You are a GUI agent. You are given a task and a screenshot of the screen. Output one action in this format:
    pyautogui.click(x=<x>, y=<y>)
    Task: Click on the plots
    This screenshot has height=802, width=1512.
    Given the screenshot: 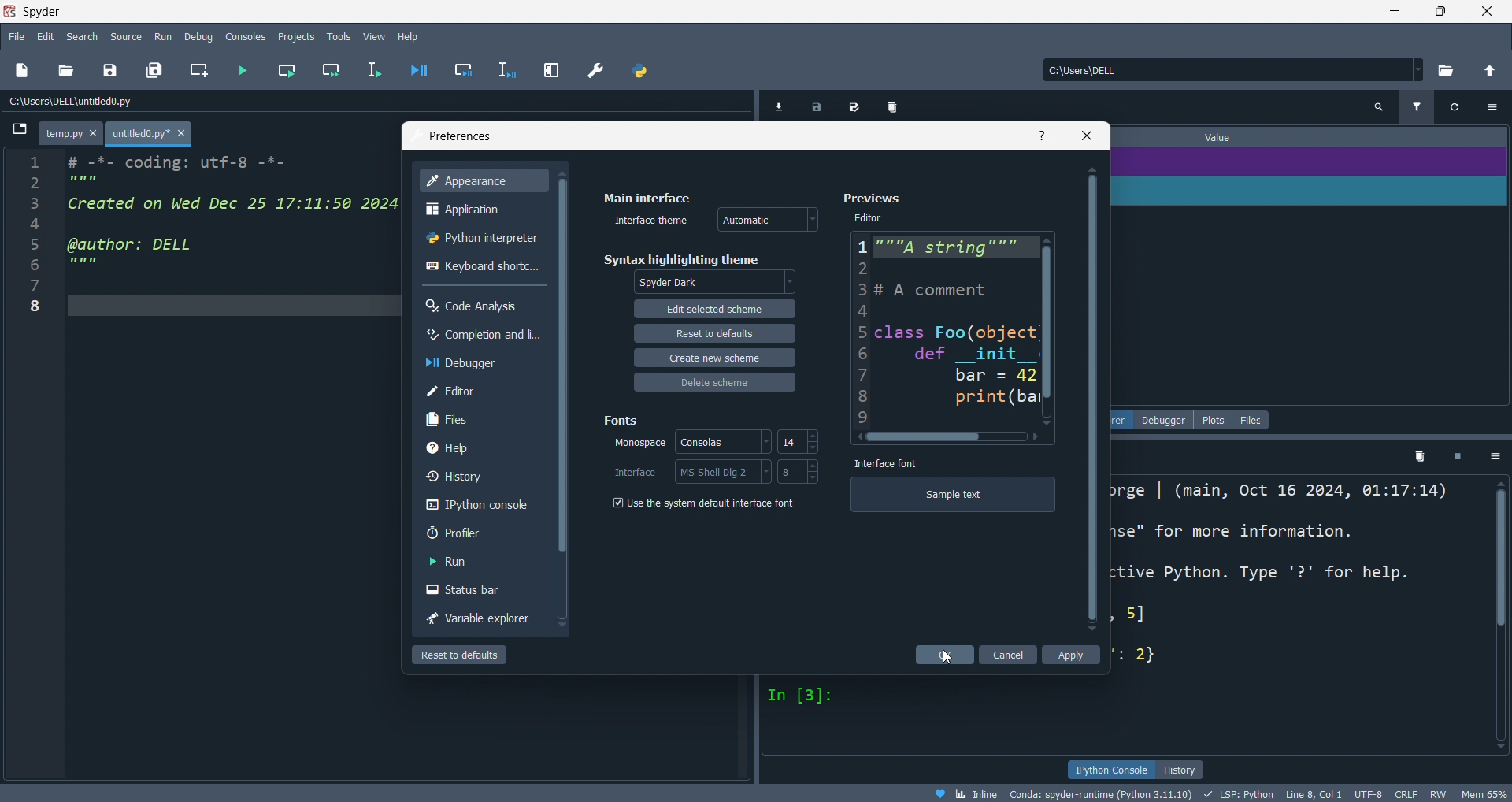 What is the action you would take?
    pyautogui.click(x=1216, y=418)
    